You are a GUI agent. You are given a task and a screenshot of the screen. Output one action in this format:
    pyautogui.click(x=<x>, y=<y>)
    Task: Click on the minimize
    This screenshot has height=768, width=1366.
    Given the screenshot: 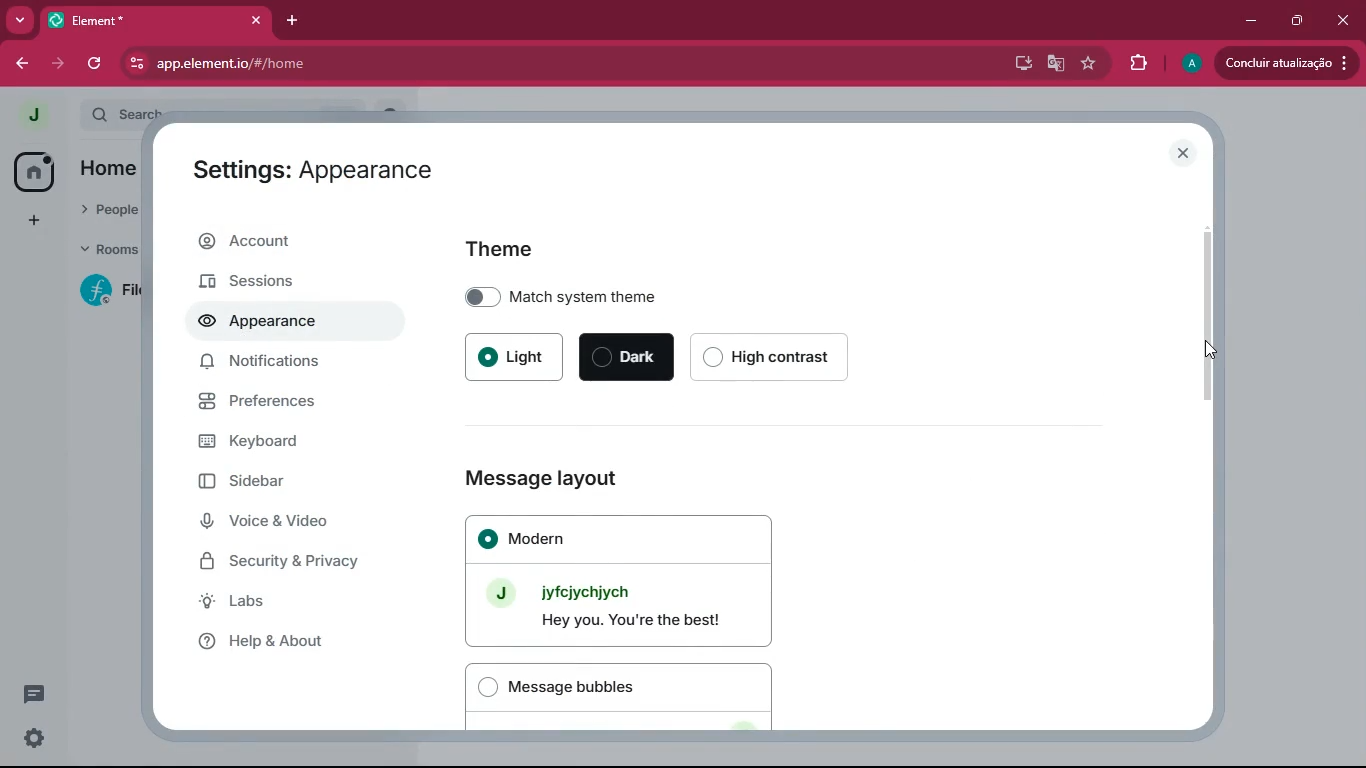 What is the action you would take?
    pyautogui.click(x=1251, y=21)
    